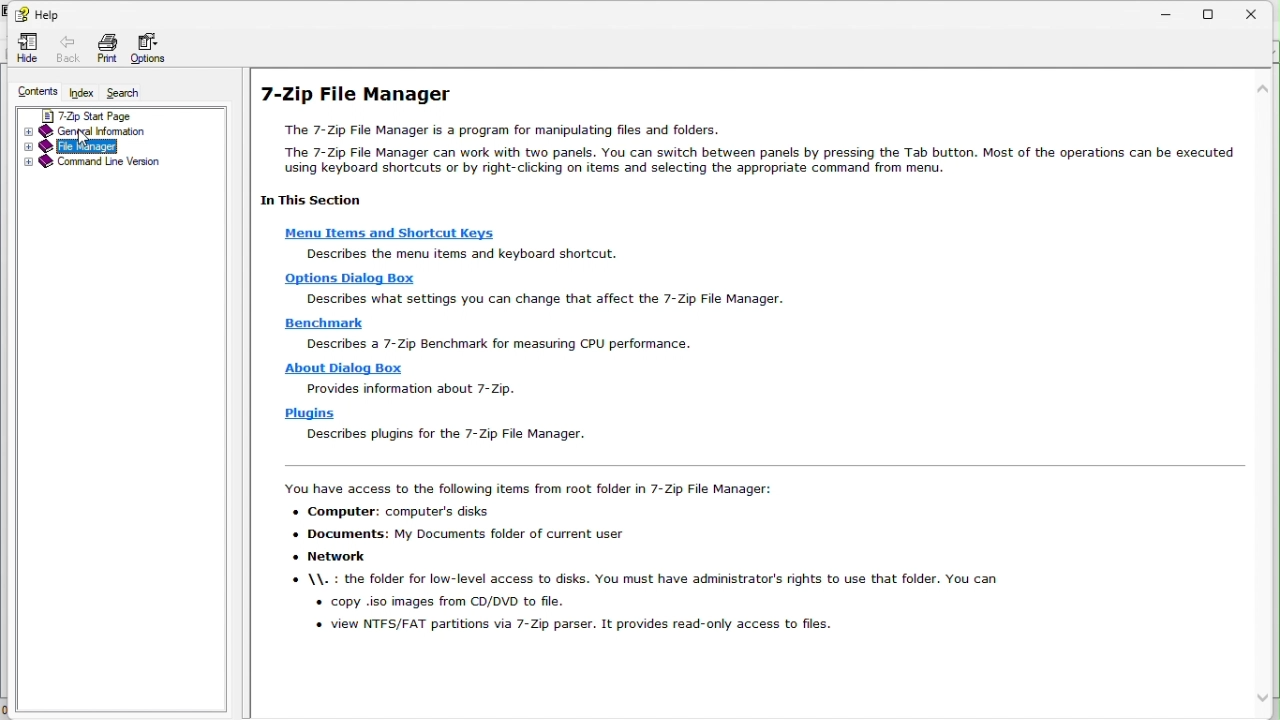 The image size is (1280, 720). I want to click on options, so click(155, 49).